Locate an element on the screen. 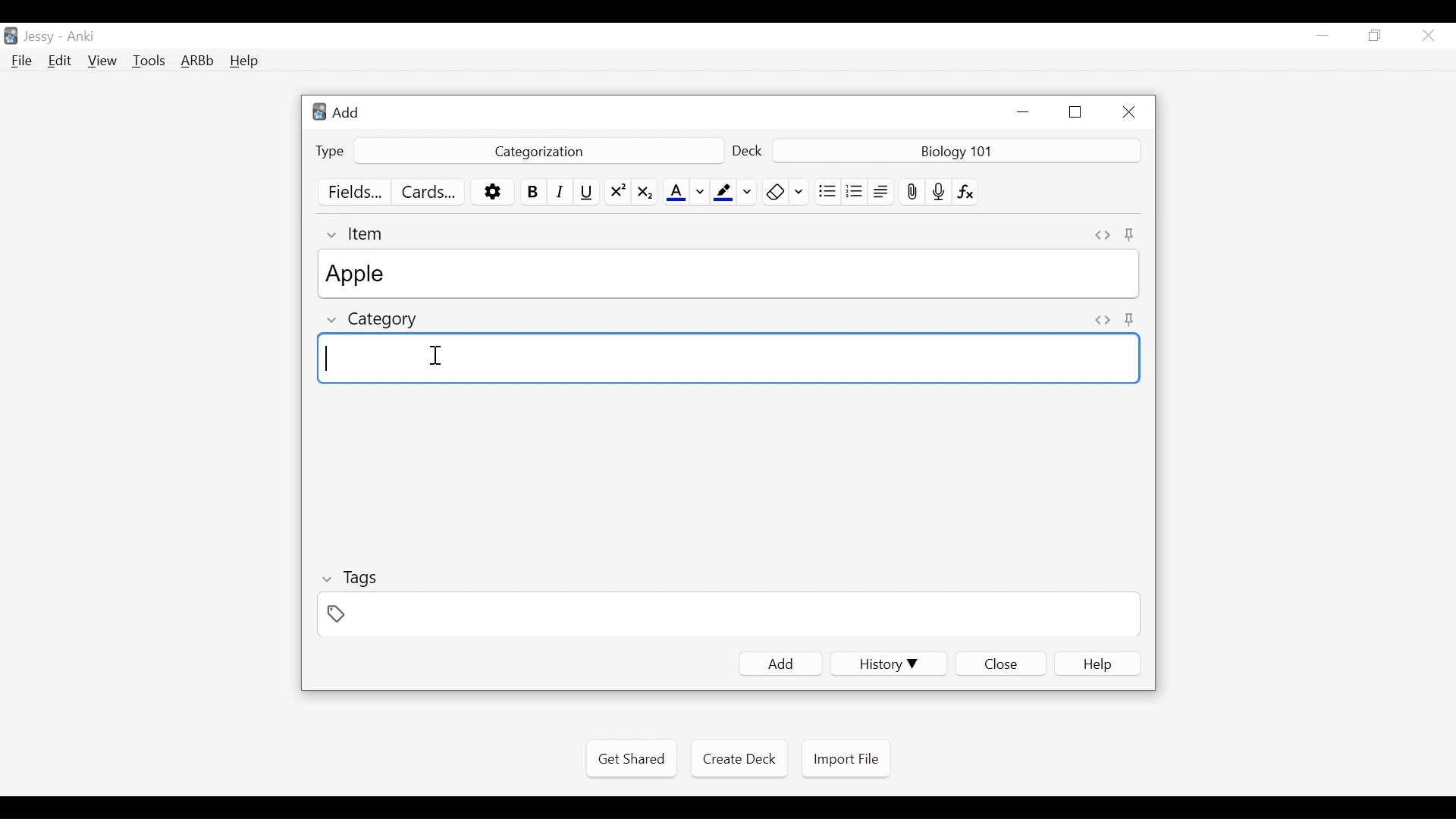  Toggle sticky is located at coordinates (1131, 318).